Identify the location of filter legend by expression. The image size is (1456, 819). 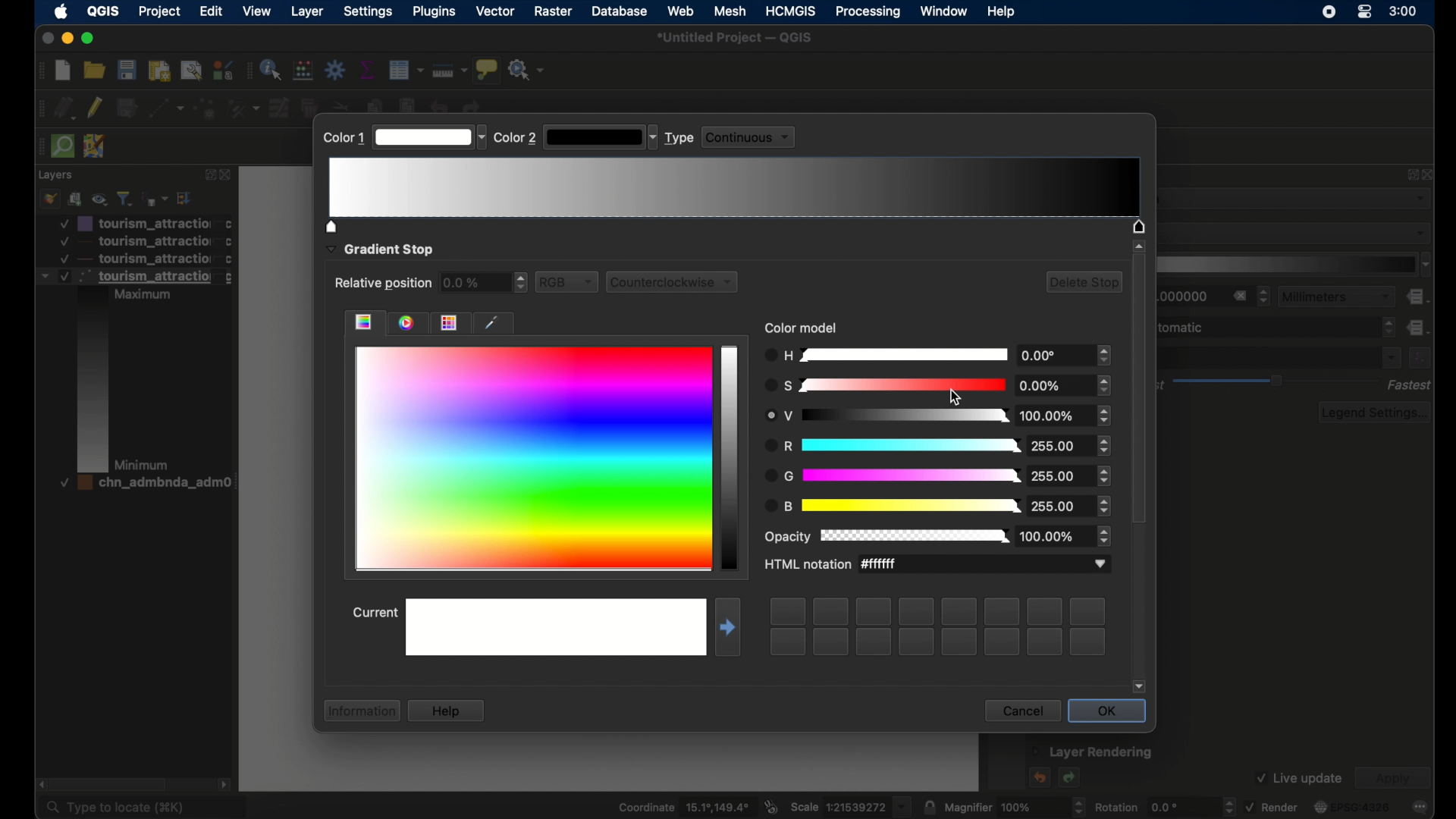
(156, 199).